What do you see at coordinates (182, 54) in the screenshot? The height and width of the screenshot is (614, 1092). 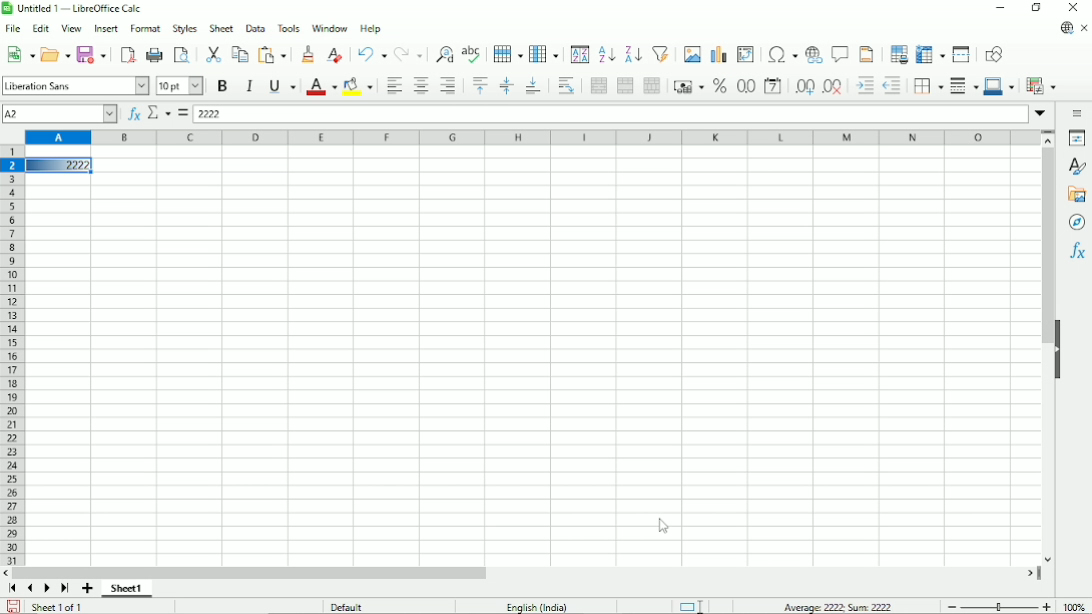 I see `Toggle print preview` at bounding box center [182, 54].